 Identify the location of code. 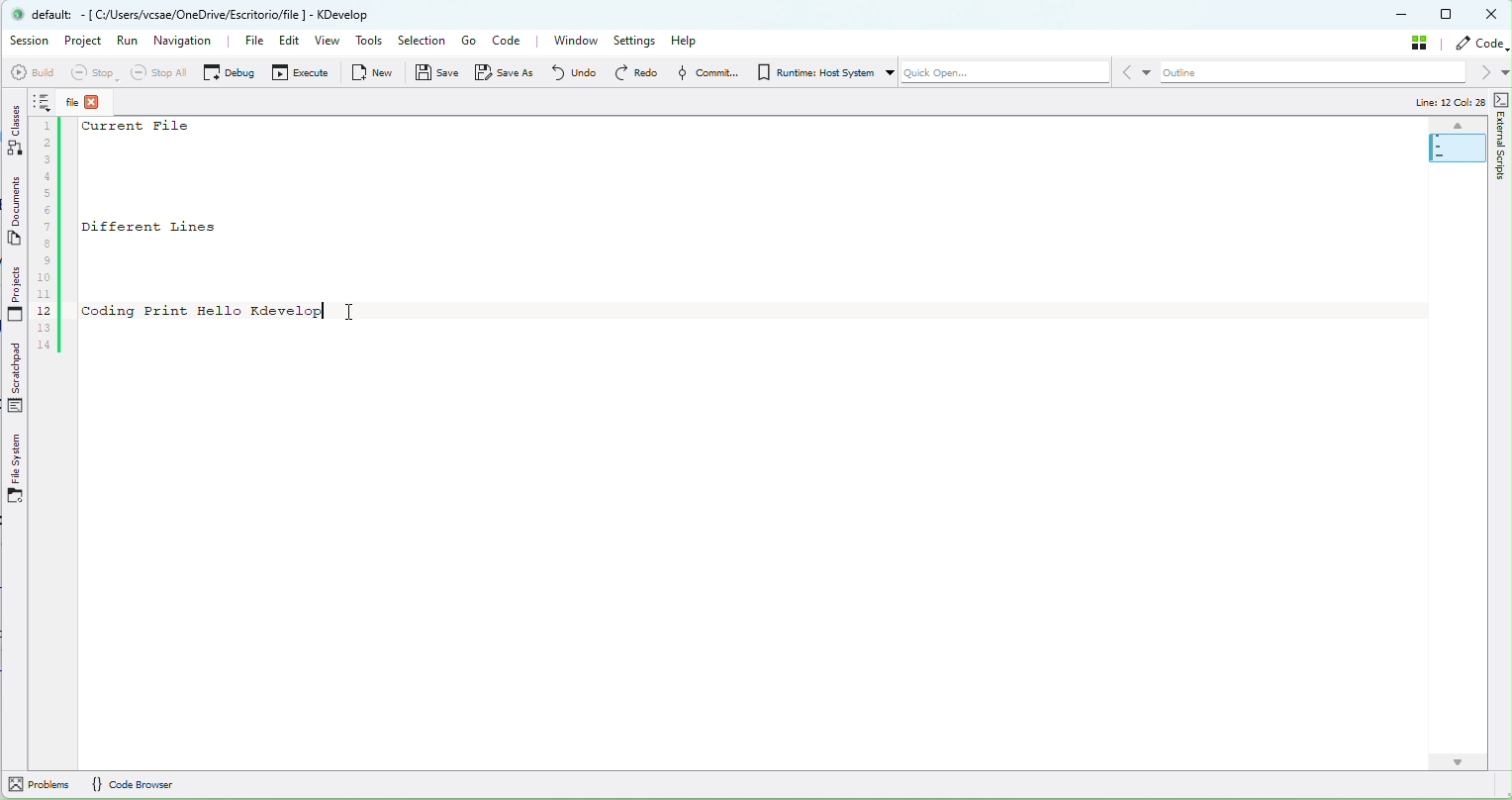
(1482, 44).